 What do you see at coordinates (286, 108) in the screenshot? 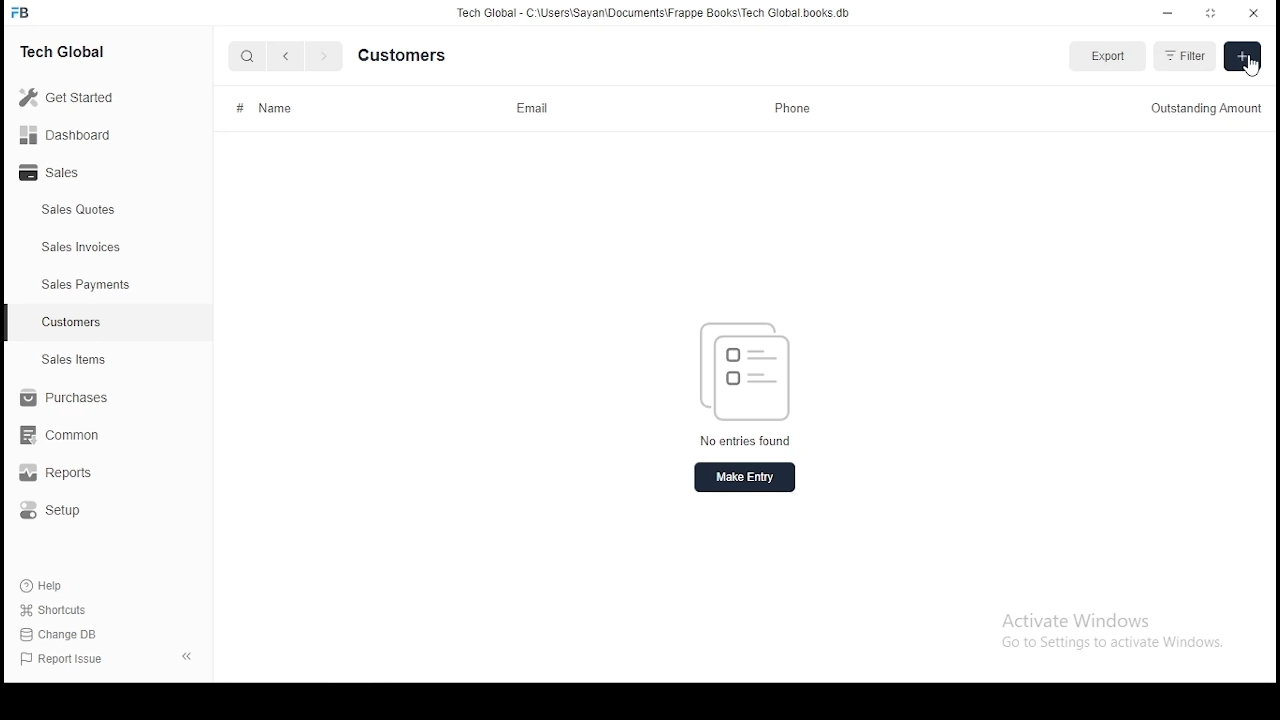
I see `invoice no` at bounding box center [286, 108].